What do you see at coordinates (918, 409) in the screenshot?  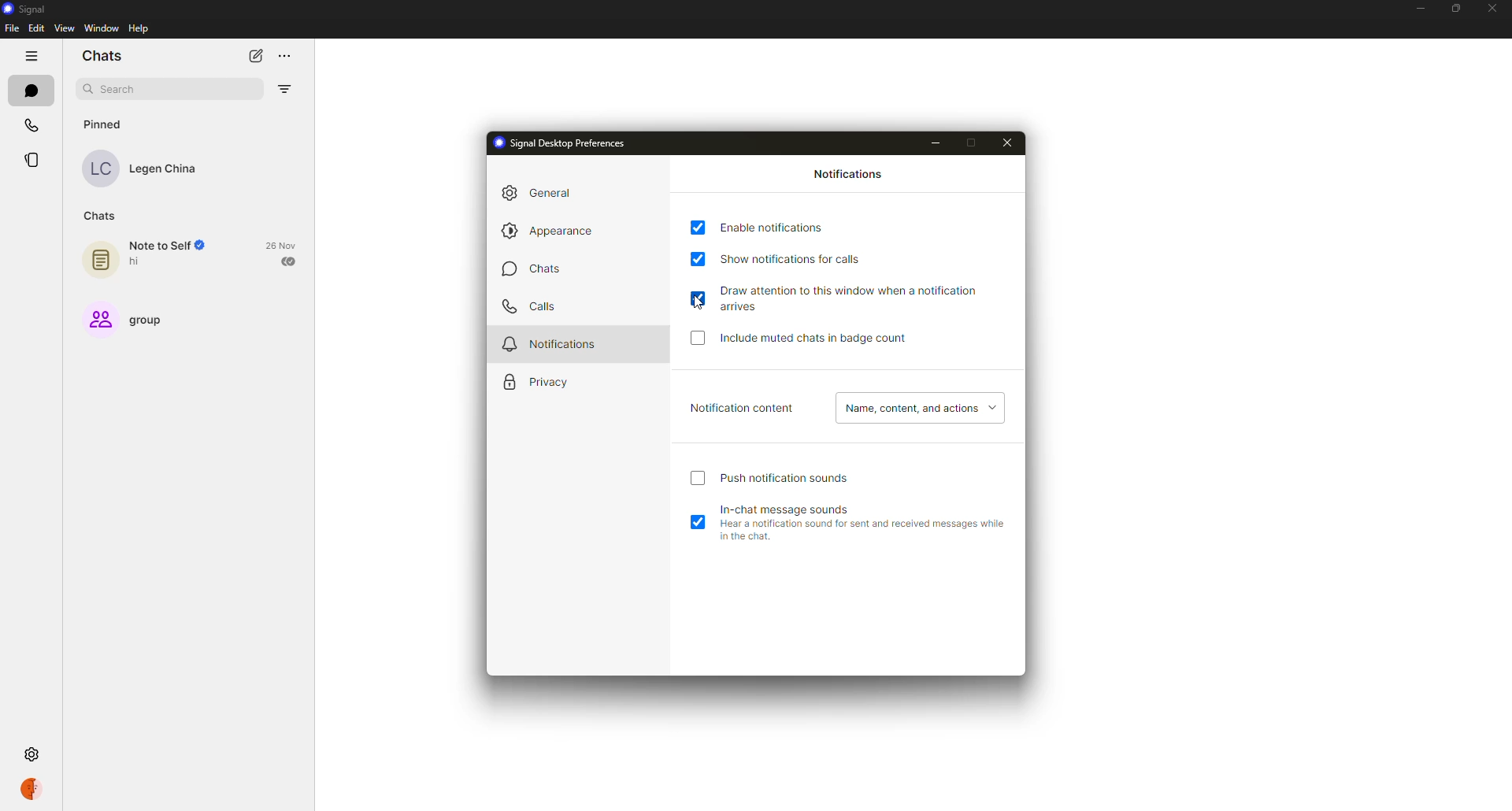 I see `name, content, actions` at bounding box center [918, 409].